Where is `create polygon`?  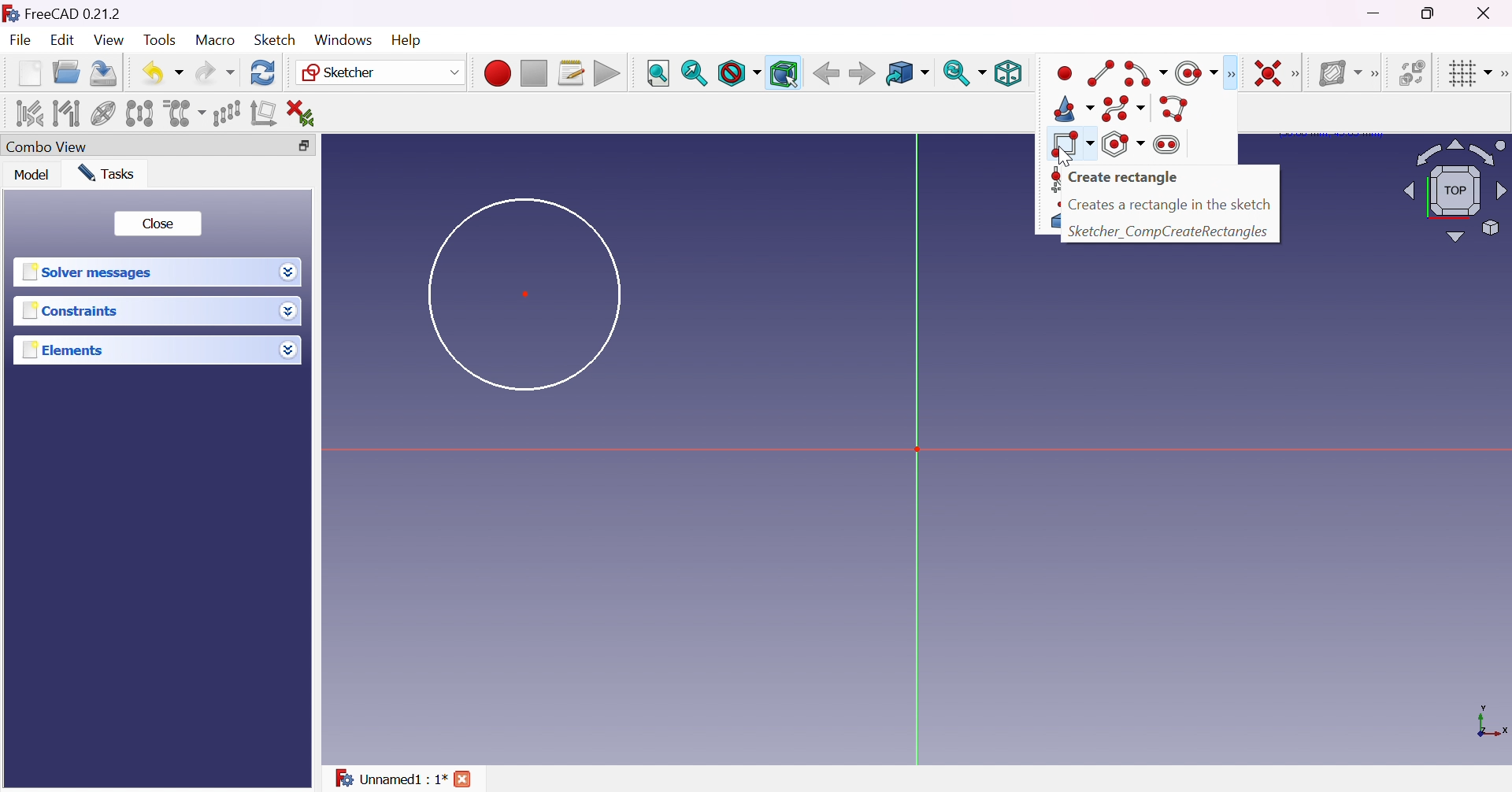 create polygon is located at coordinates (1122, 144).